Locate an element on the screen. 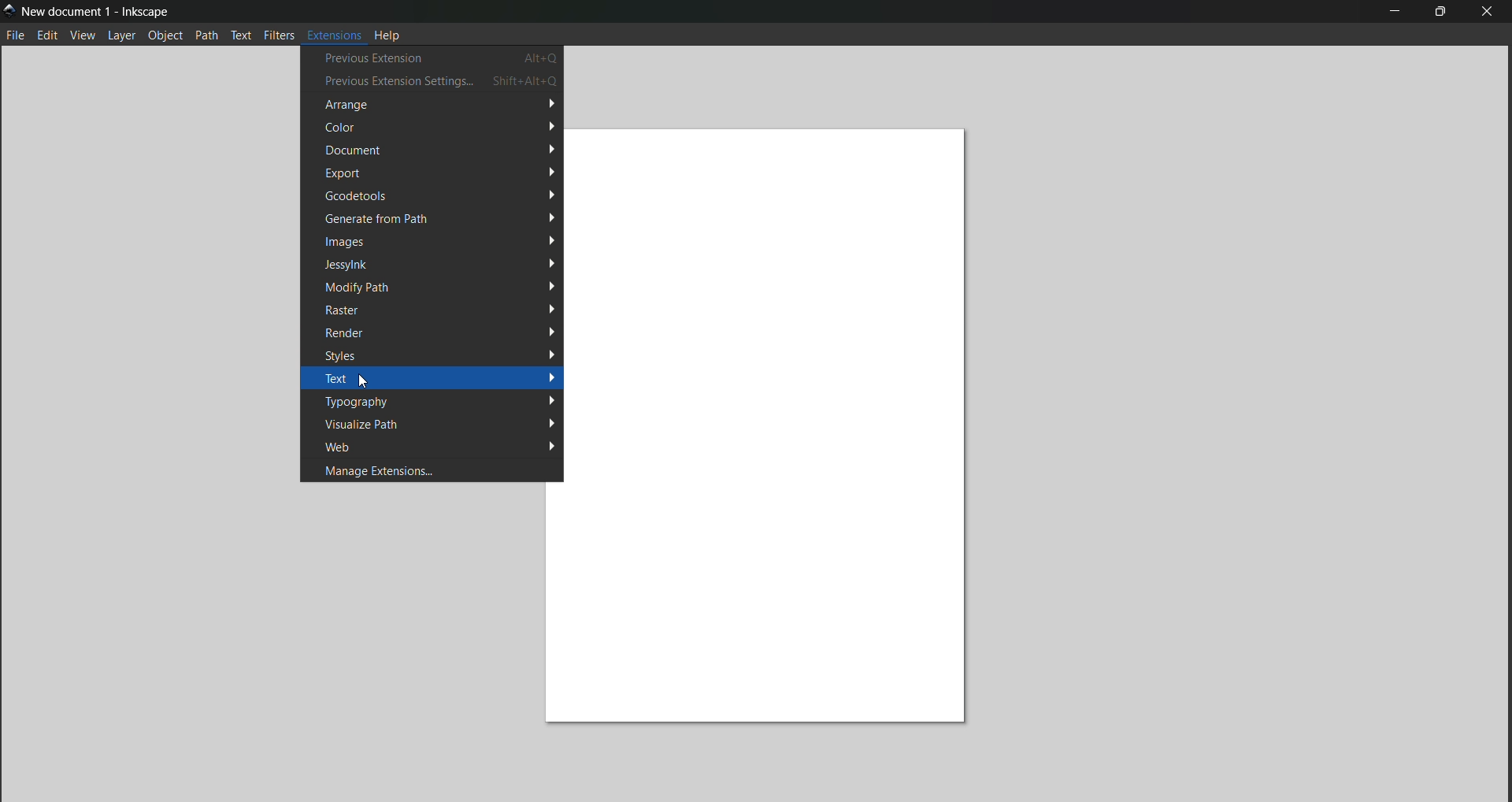 The height and width of the screenshot is (802, 1512). modify path is located at coordinates (439, 287).